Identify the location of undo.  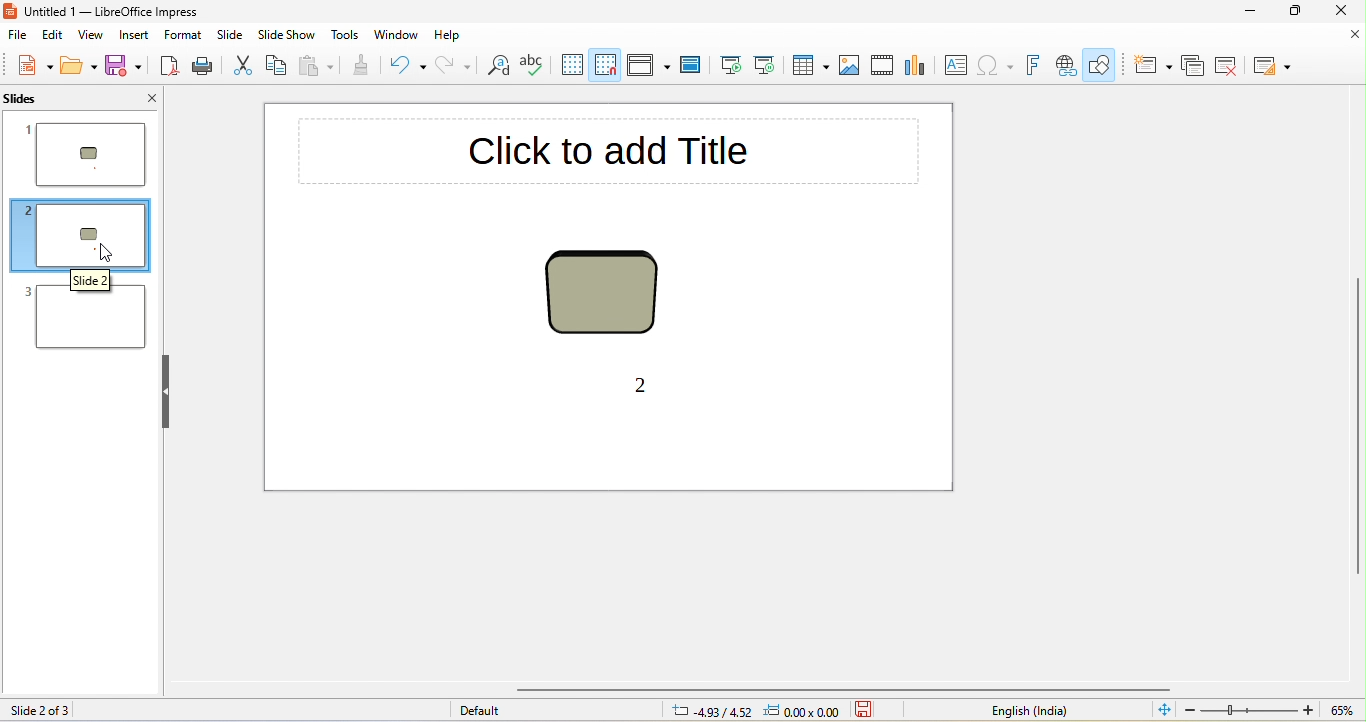
(409, 67).